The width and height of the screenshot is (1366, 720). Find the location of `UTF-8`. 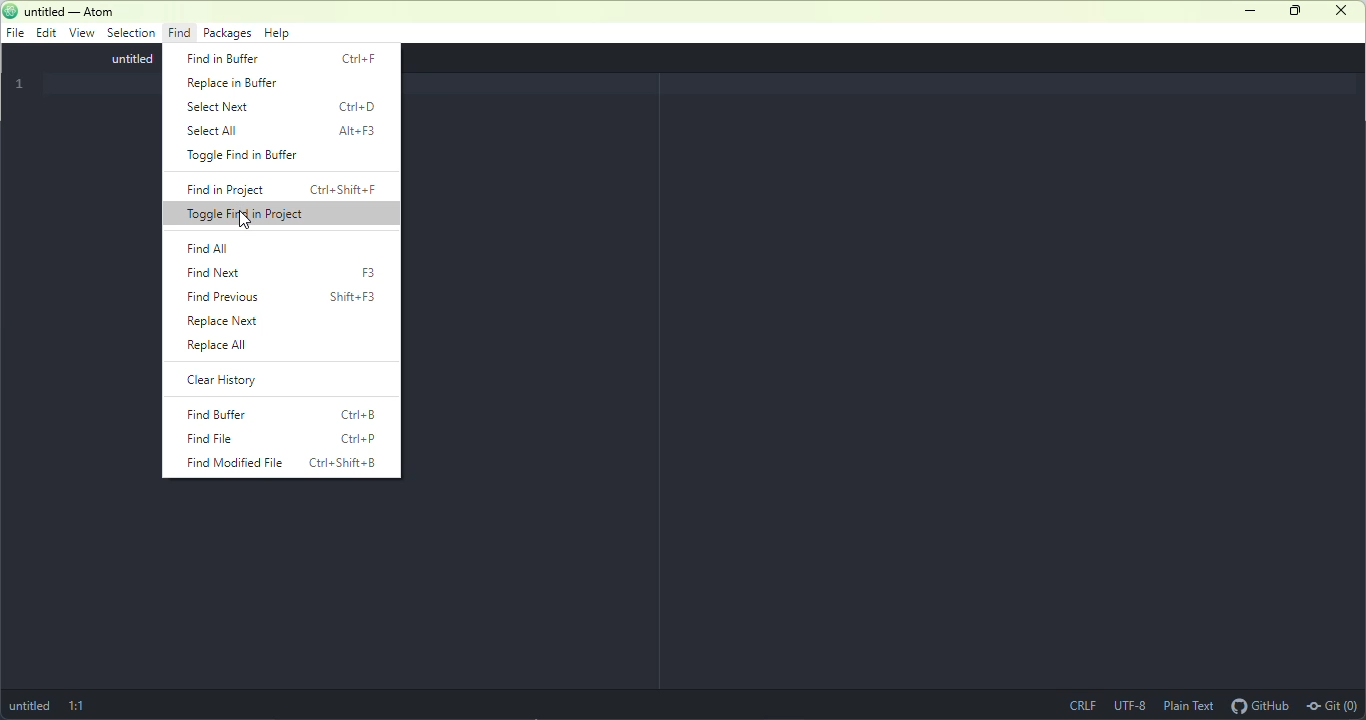

UTF-8 is located at coordinates (1128, 704).